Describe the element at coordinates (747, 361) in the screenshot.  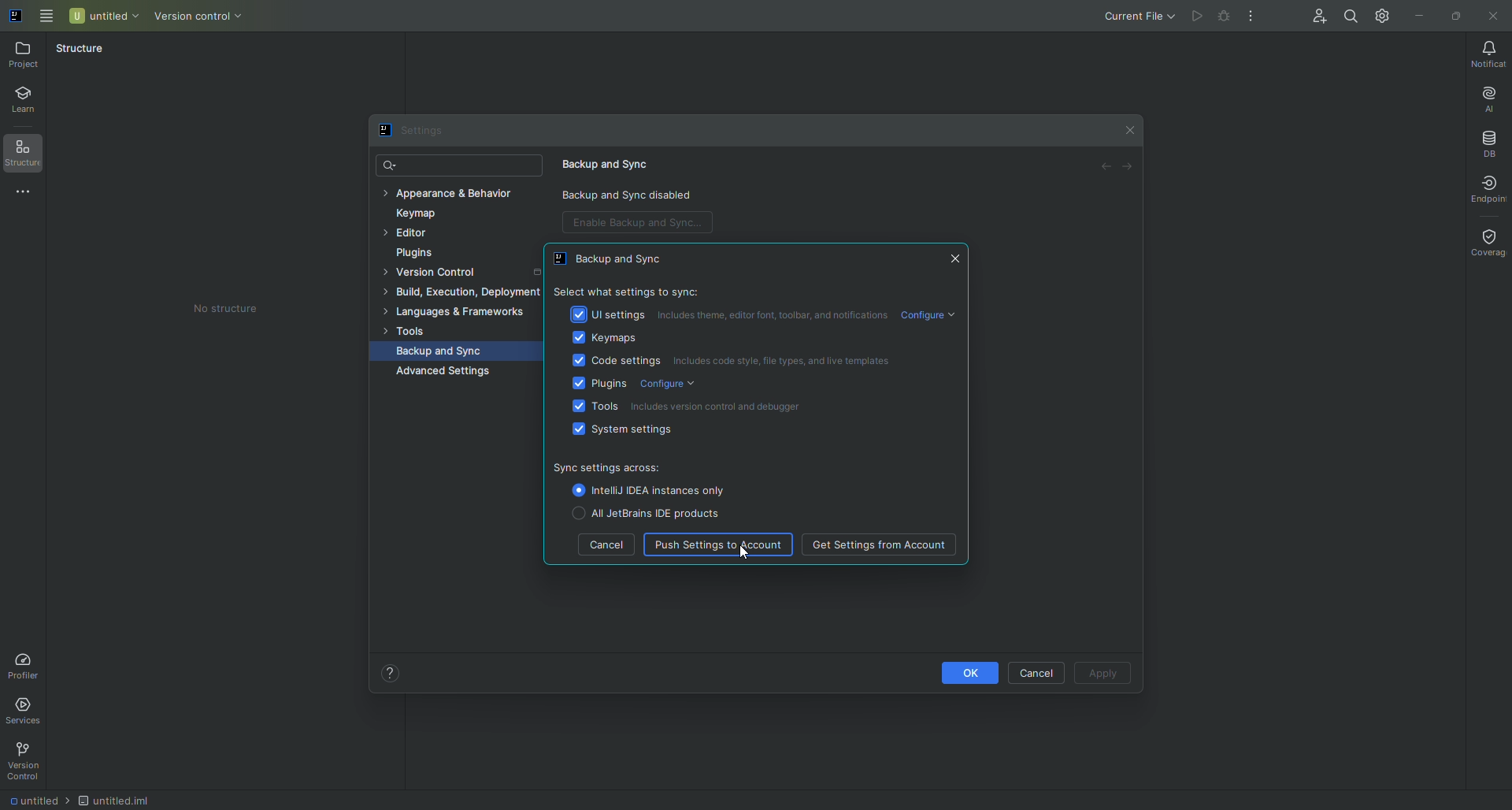
I see `Code settings Includes code style, file types, and live templates` at that location.